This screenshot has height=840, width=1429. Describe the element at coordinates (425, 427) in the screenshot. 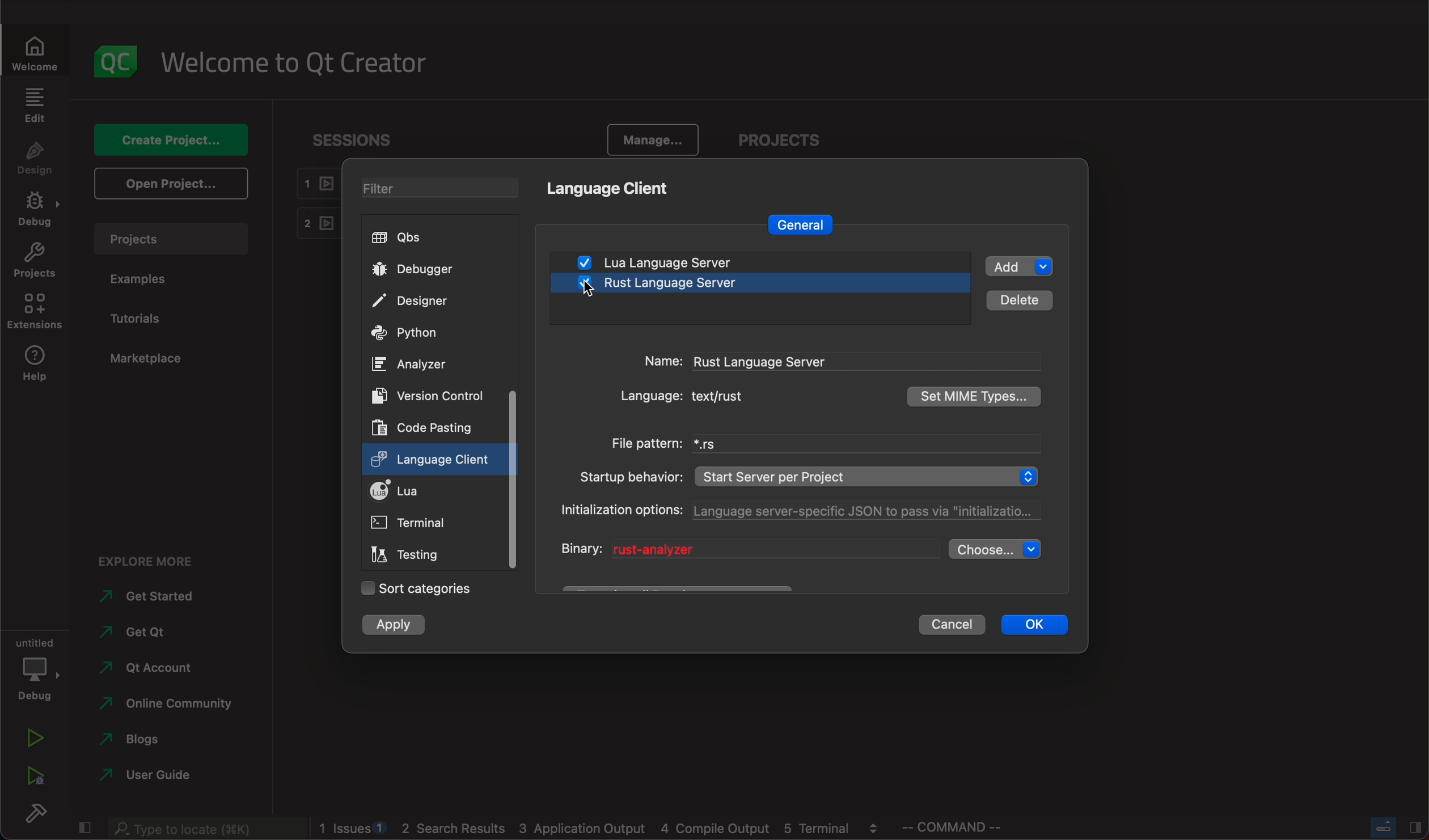

I see `code` at that location.